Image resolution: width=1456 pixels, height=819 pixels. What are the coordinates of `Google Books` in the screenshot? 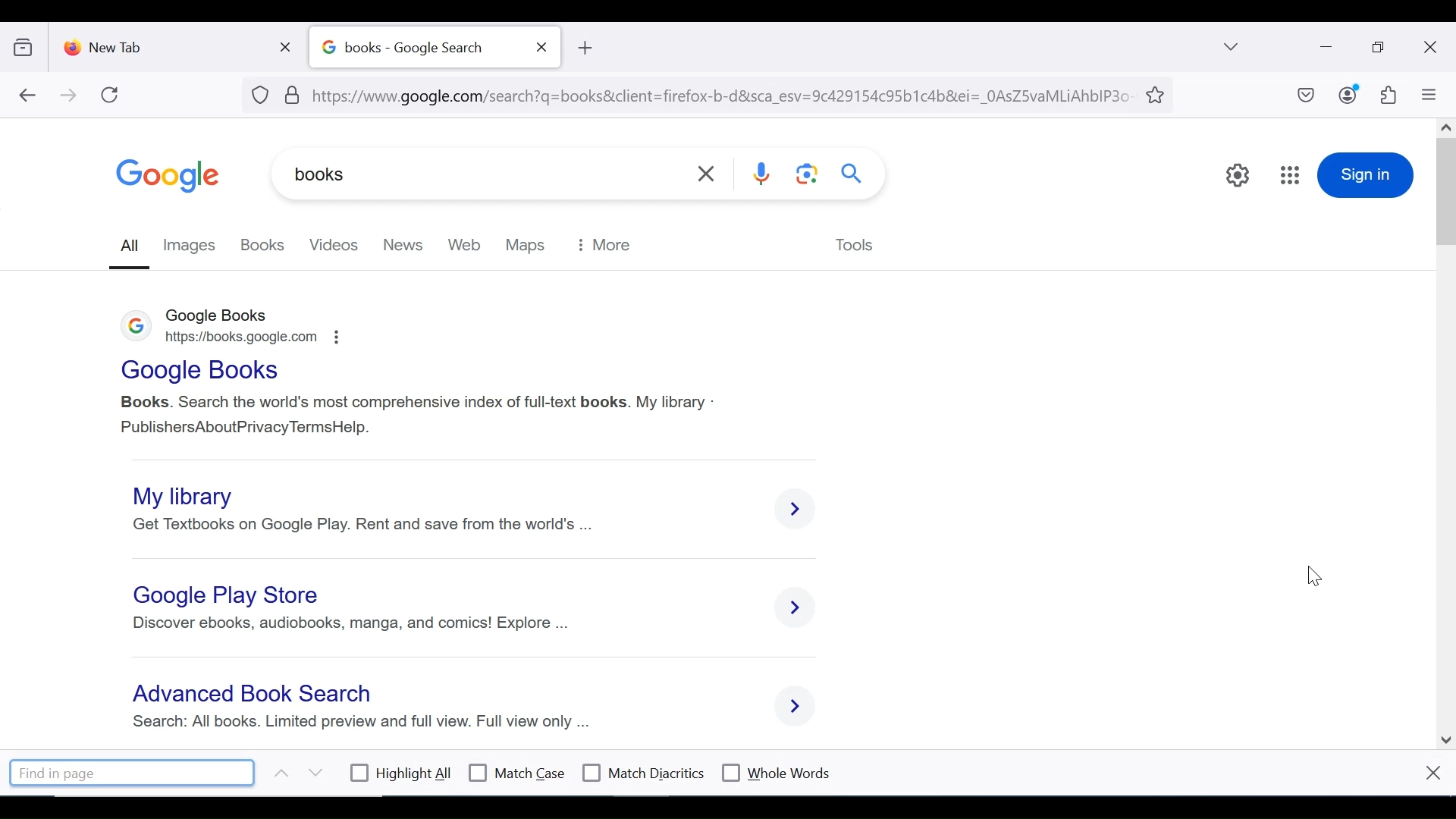 It's located at (202, 372).